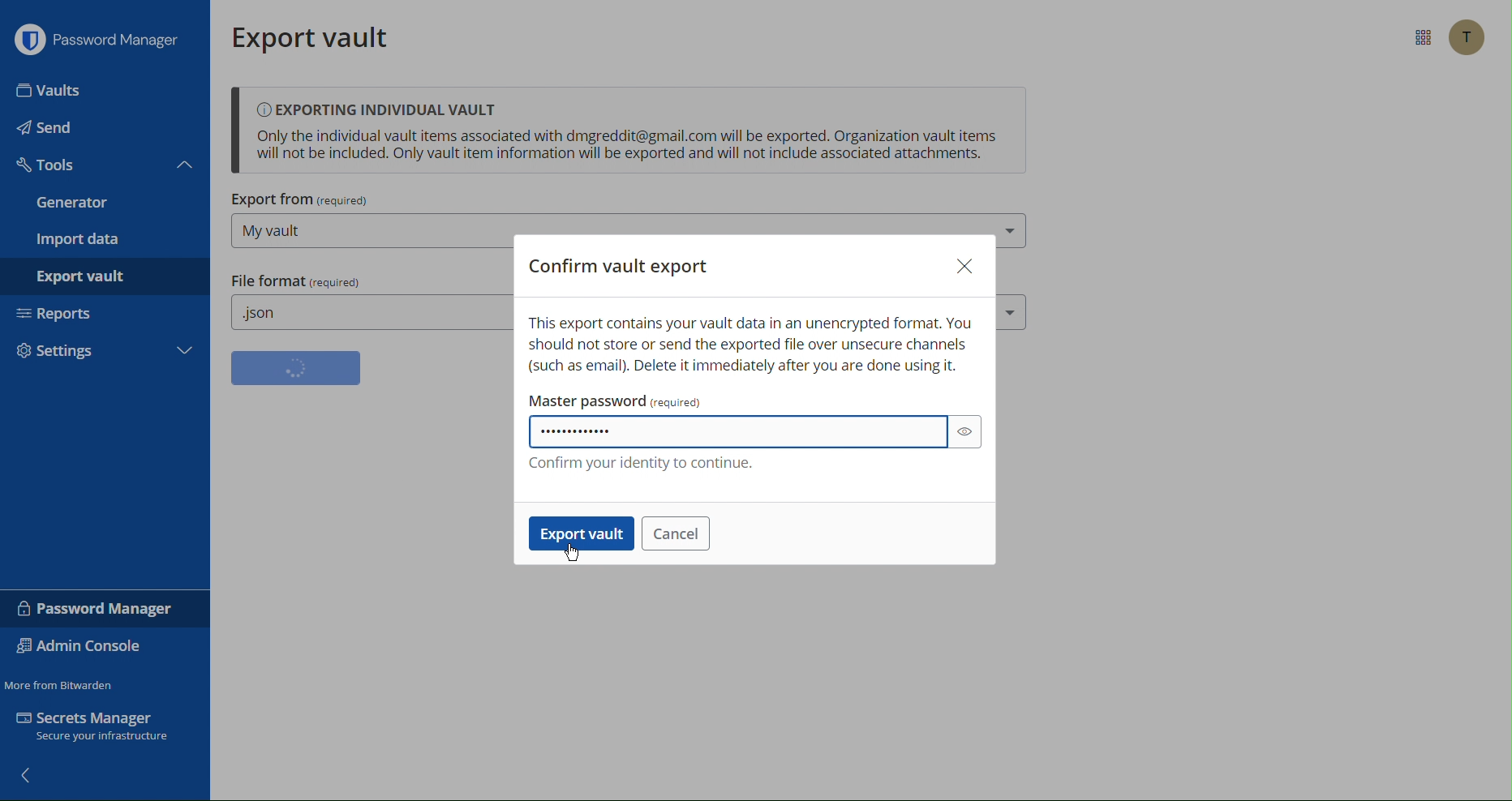  What do you see at coordinates (101, 43) in the screenshot?
I see `Password Manager` at bounding box center [101, 43].